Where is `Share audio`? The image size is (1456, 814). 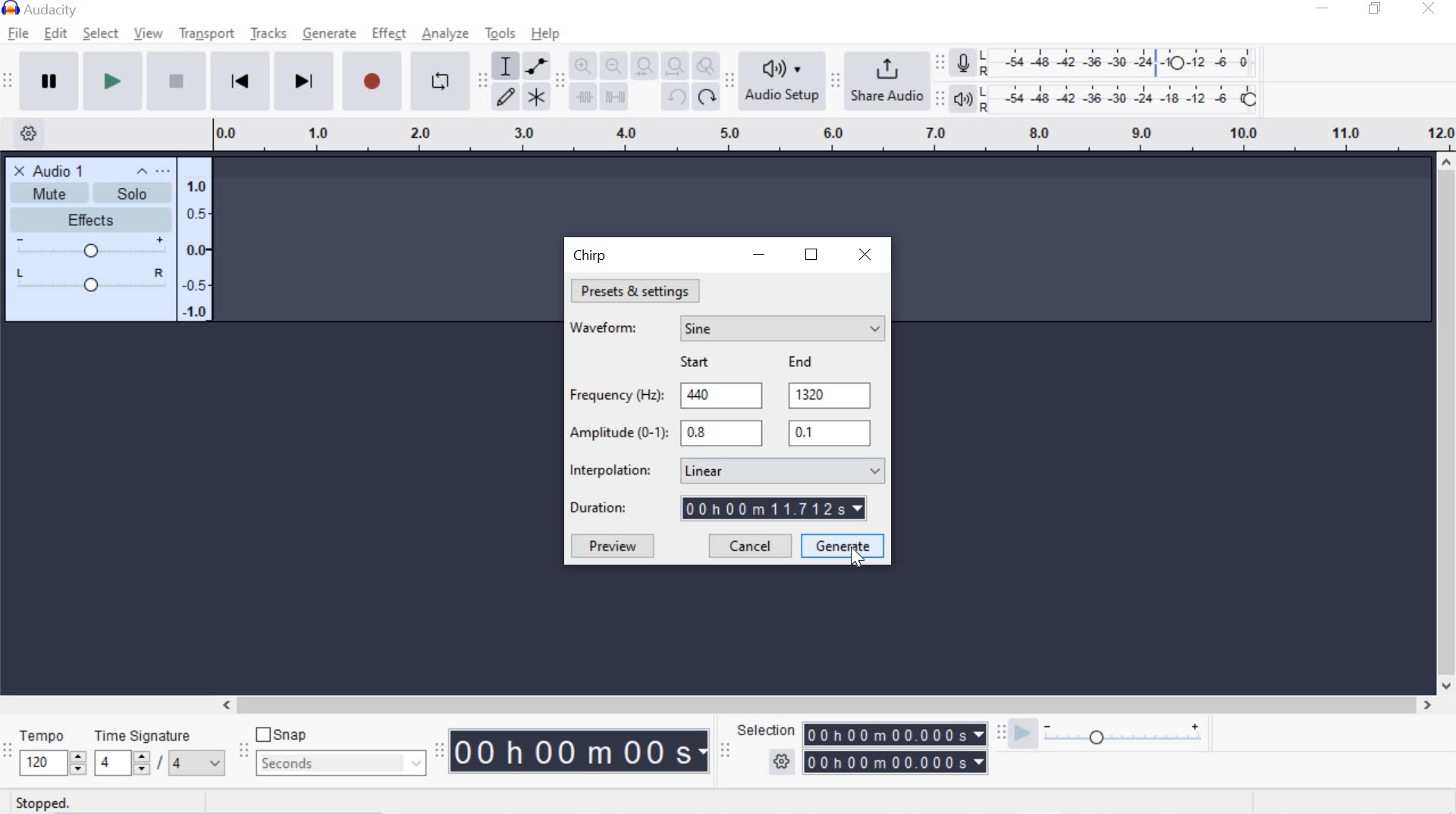 Share audio is located at coordinates (886, 80).